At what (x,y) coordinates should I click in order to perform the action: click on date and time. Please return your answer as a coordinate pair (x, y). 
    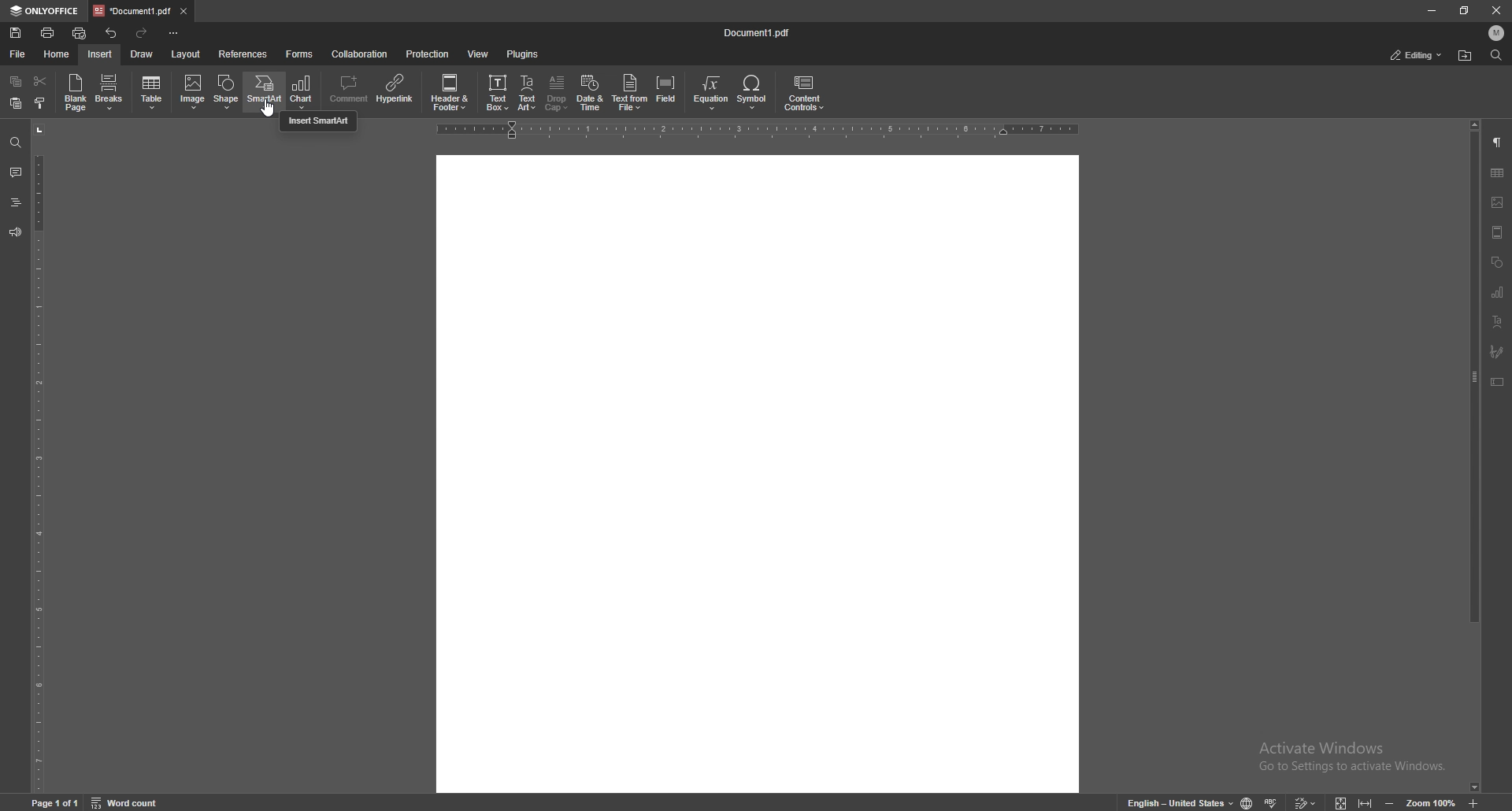
    Looking at the image, I should click on (591, 93).